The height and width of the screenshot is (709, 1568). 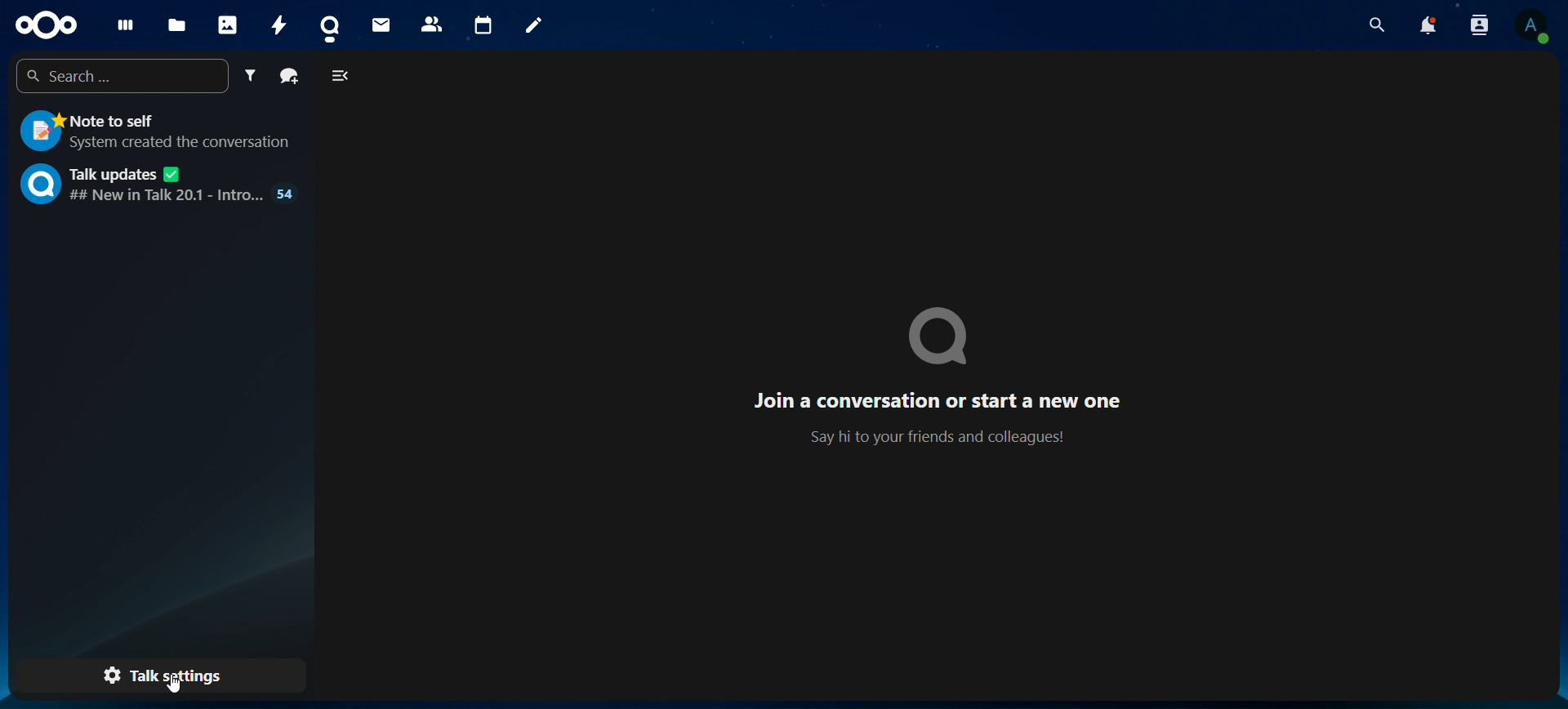 I want to click on view profile, so click(x=1530, y=28).